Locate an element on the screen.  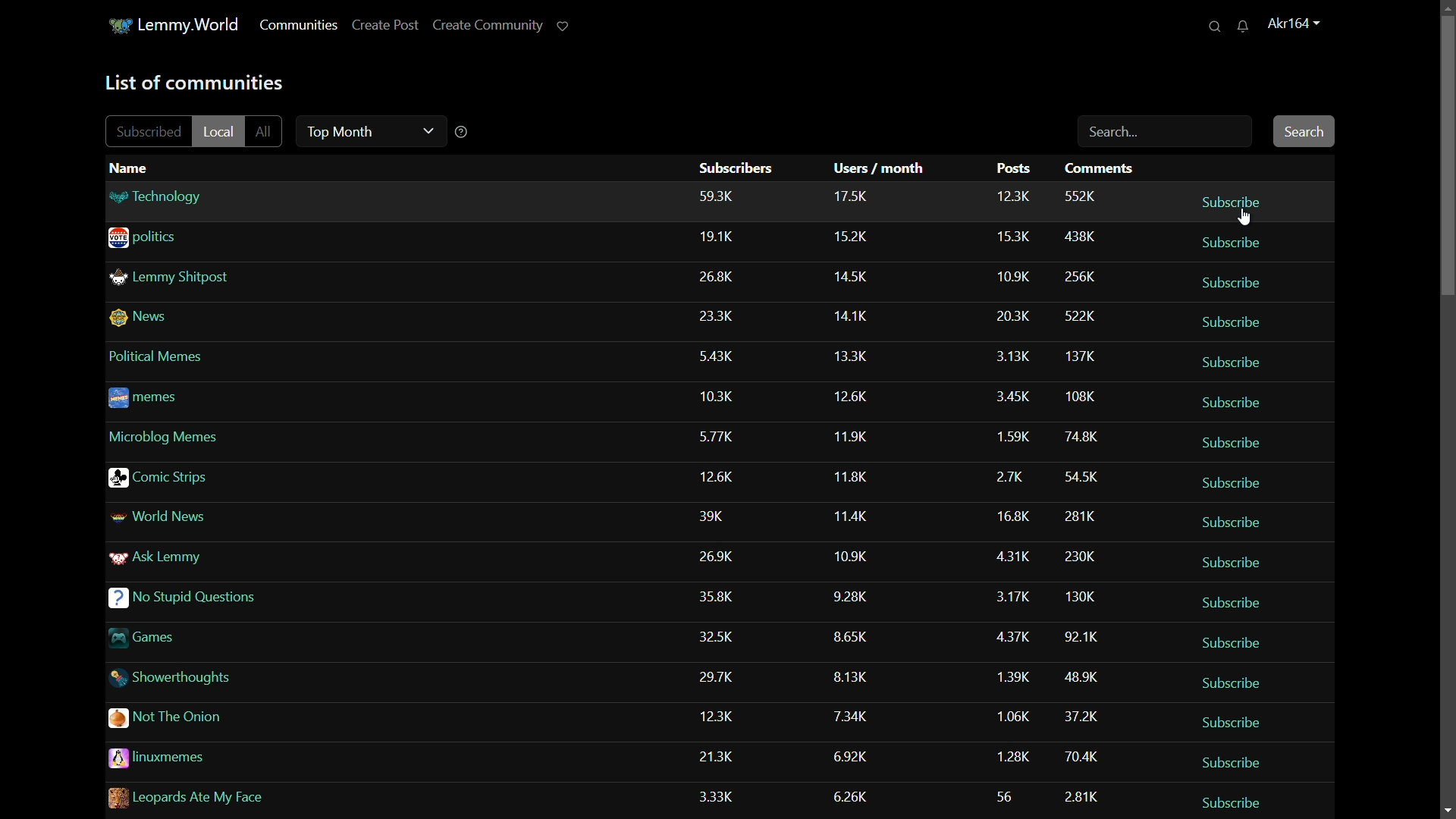
user per month is located at coordinates (851, 555).